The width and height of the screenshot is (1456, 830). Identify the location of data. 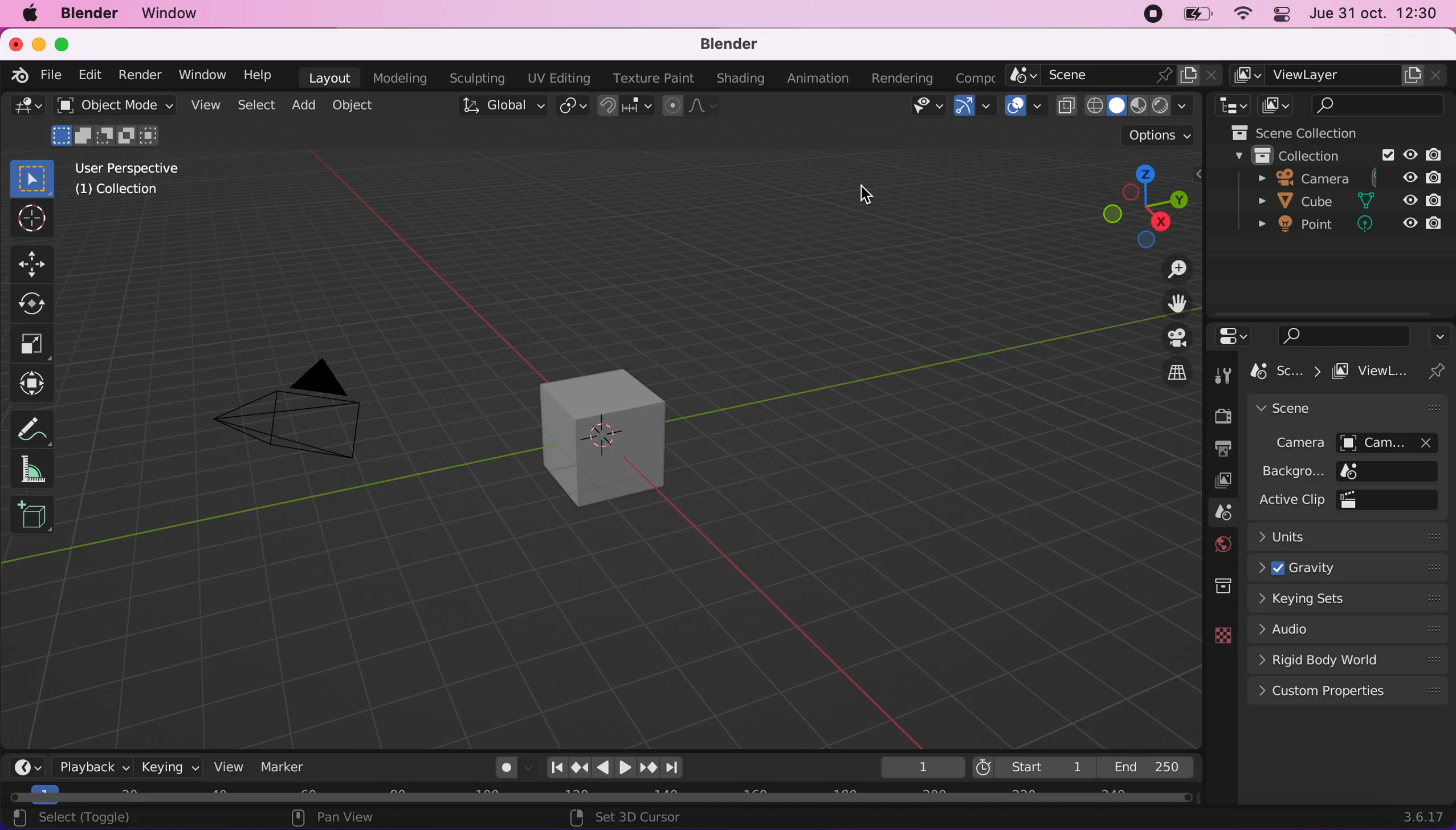
(1216, 634).